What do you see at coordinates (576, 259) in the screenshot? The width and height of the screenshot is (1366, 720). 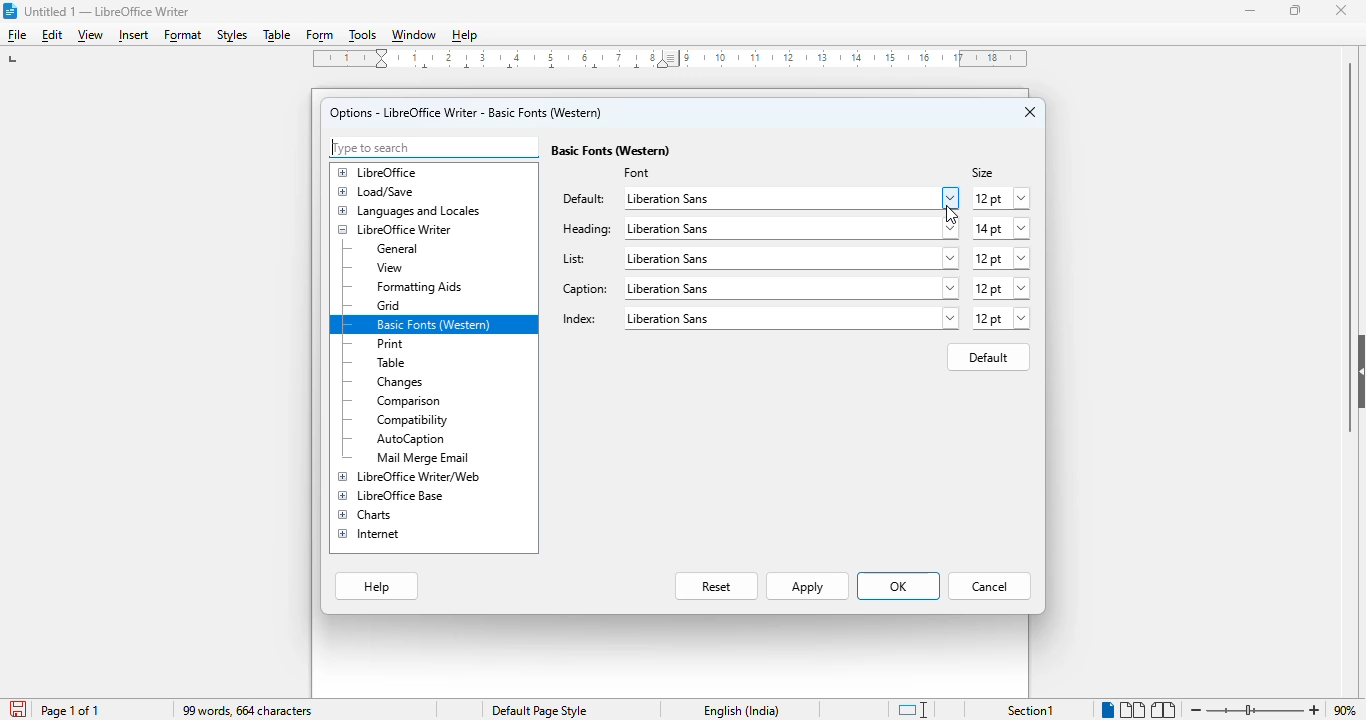 I see `list: ` at bounding box center [576, 259].